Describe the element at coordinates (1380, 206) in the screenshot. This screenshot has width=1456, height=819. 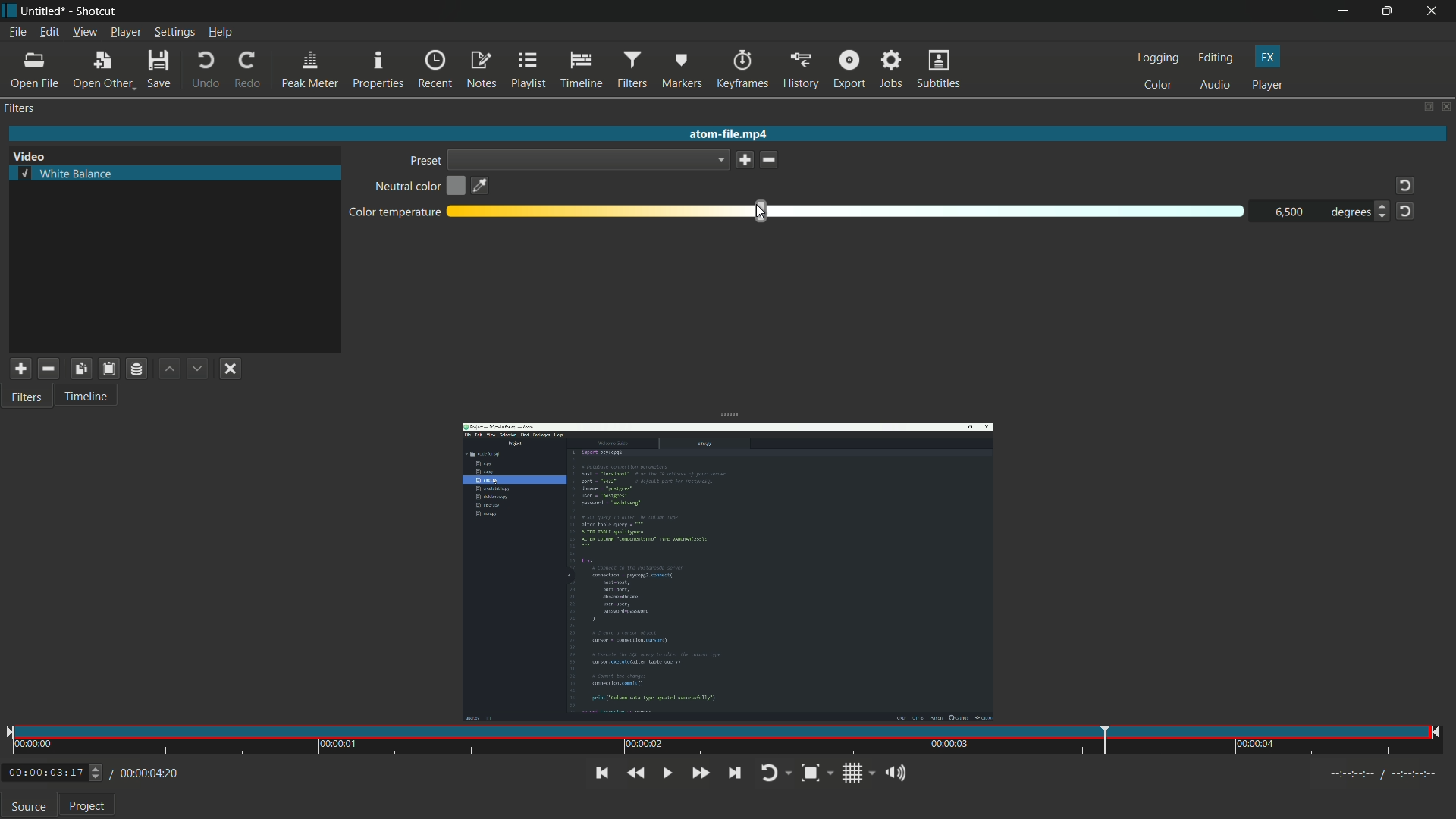
I see `increase` at that location.